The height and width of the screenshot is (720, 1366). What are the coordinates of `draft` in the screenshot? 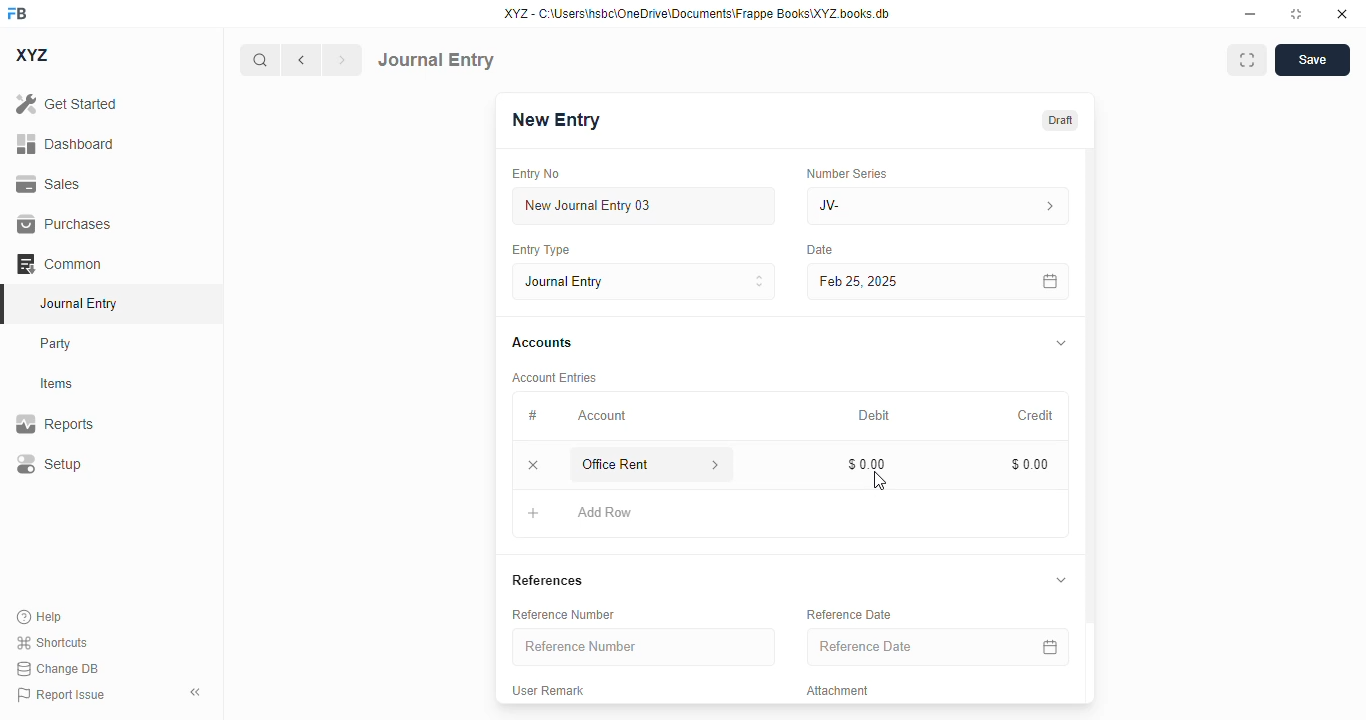 It's located at (1061, 121).